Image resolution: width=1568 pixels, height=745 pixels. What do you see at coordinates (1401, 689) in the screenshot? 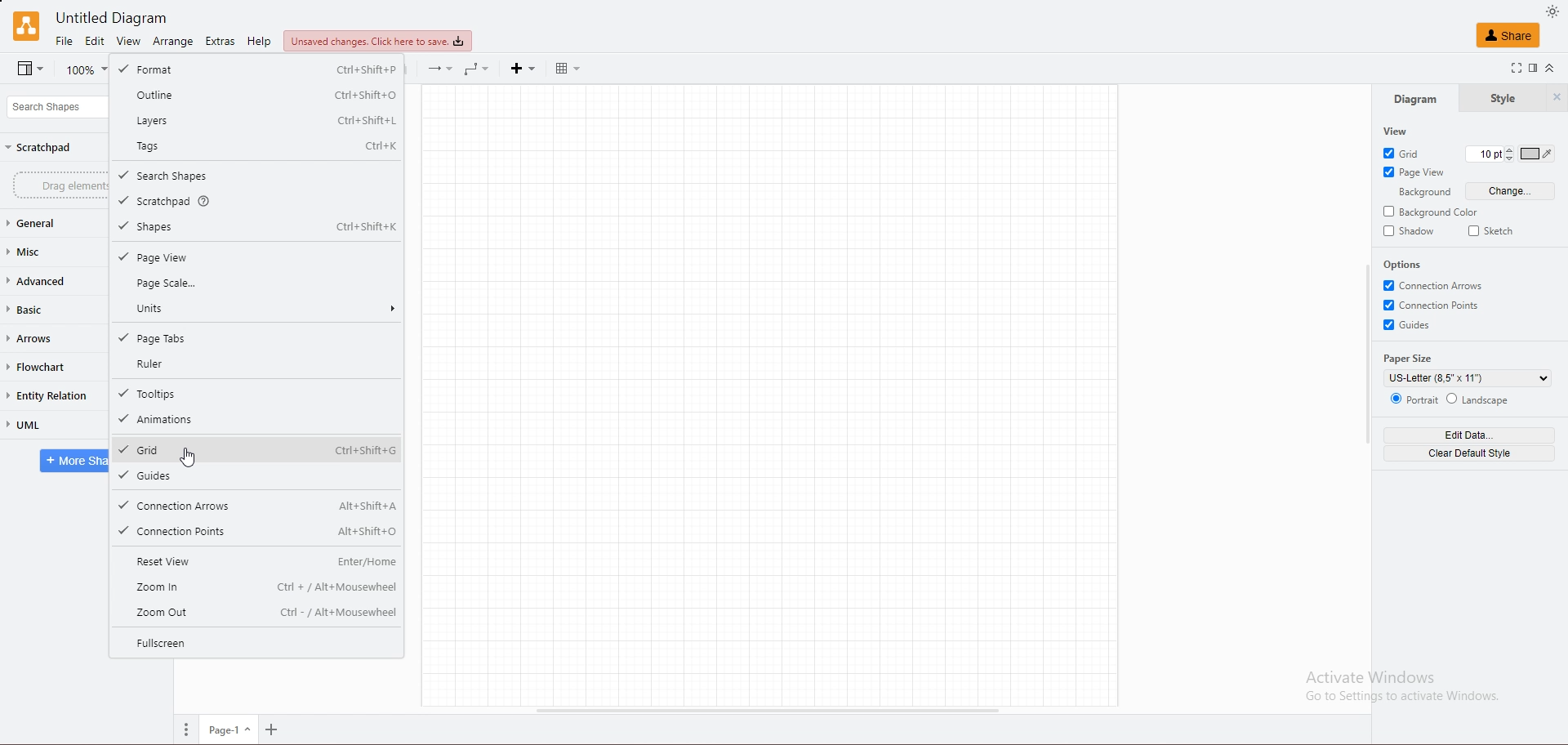
I see `Activate Windows
Go to Settings to activate Windows.` at bounding box center [1401, 689].